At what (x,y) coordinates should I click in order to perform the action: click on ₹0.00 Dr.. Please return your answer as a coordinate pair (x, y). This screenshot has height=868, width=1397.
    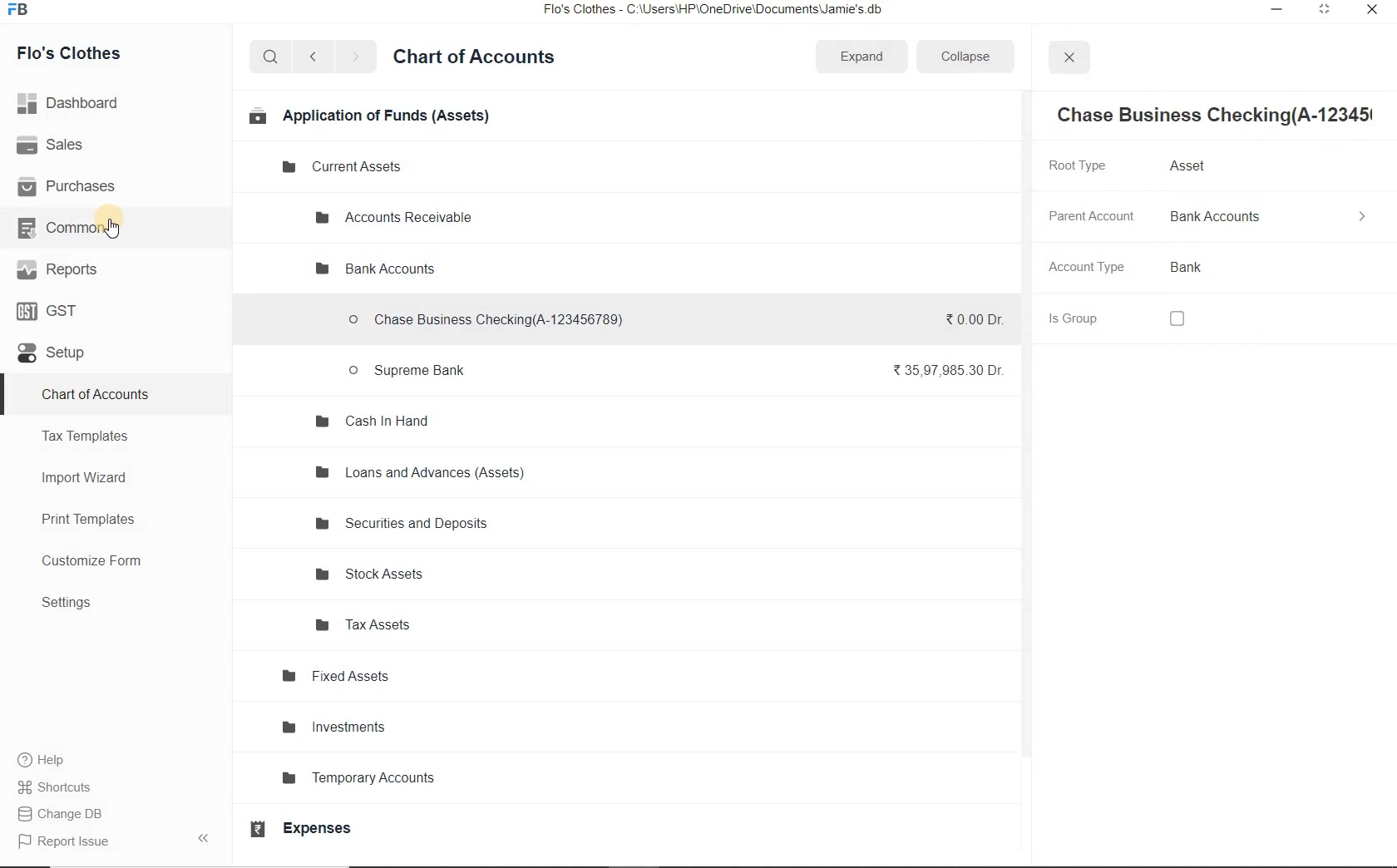
    Looking at the image, I should click on (979, 321).